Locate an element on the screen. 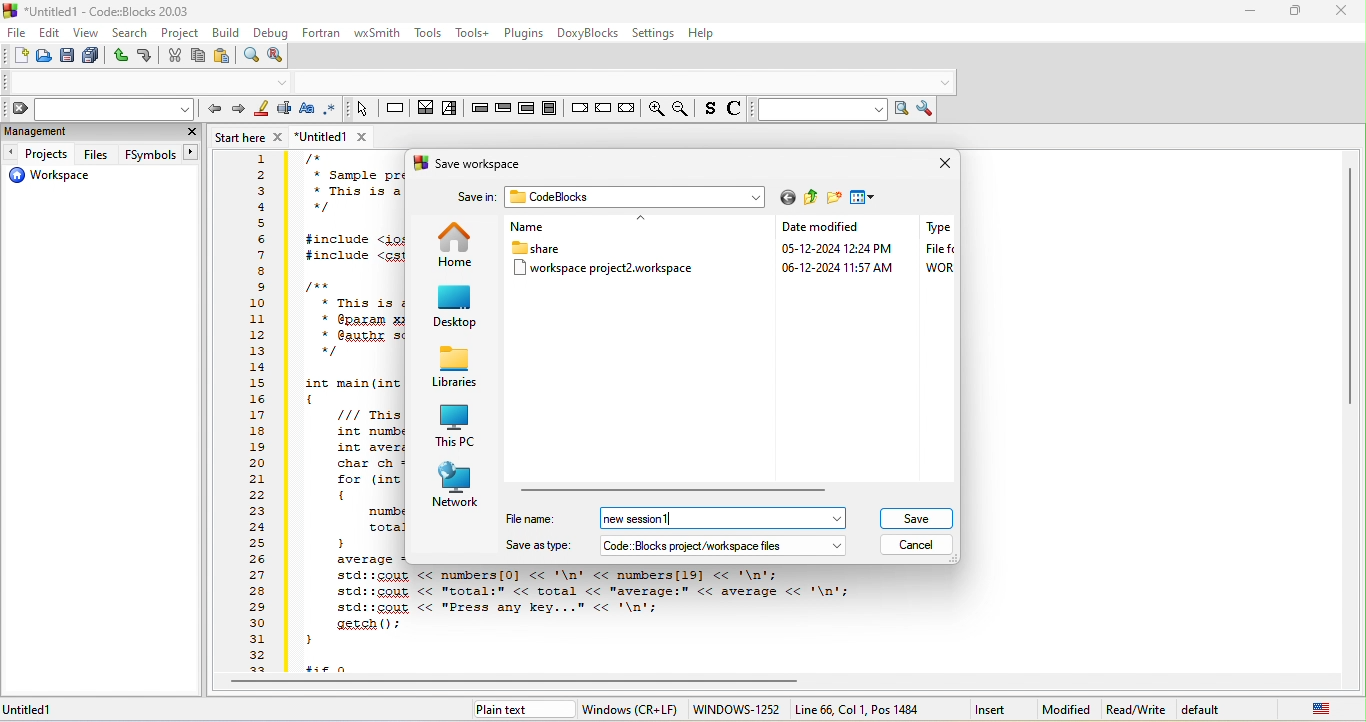 This screenshot has height=722, width=1366. workspace project 2 workspace is located at coordinates (608, 271).